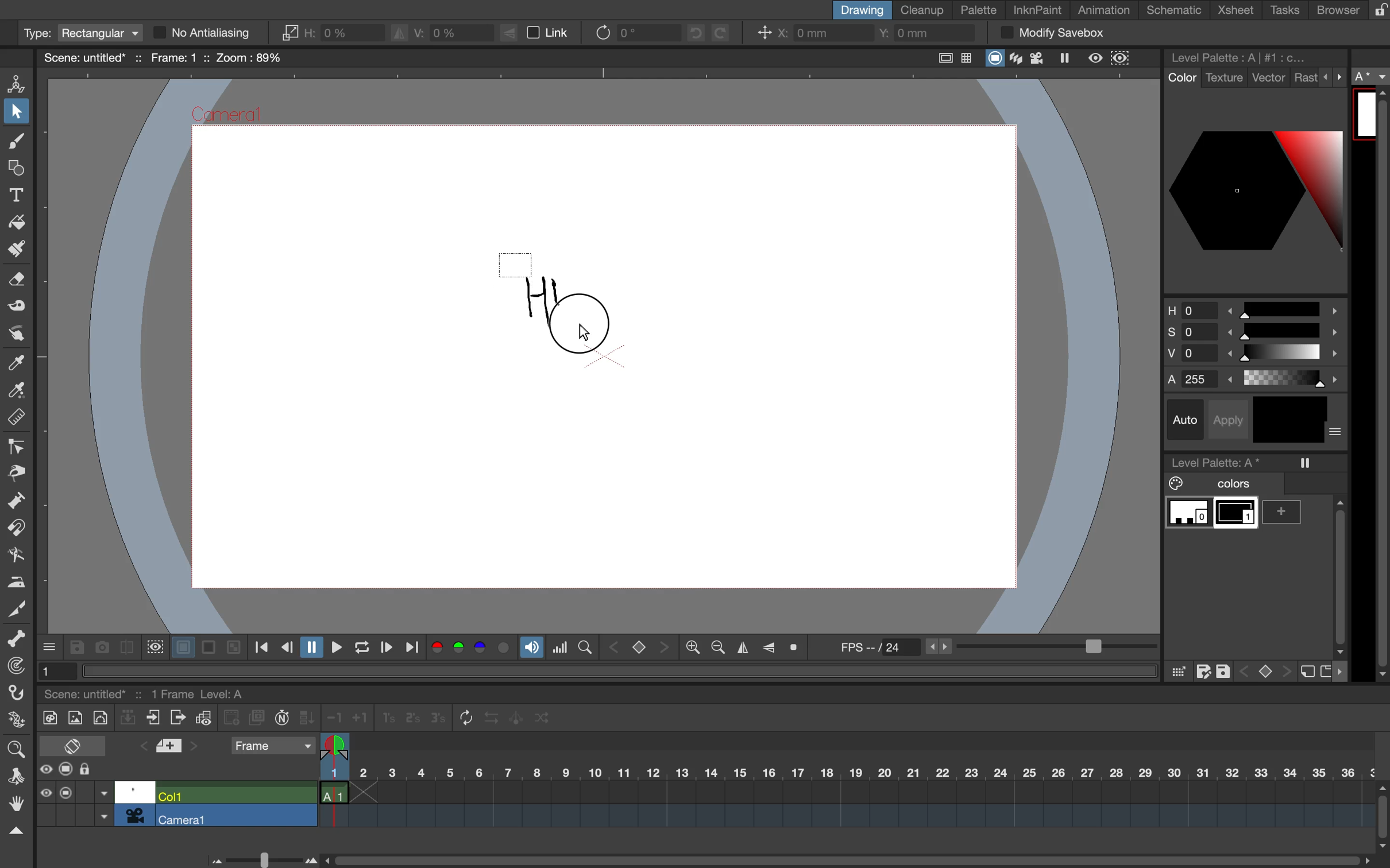 The height and width of the screenshot is (868, 1390). What do you see at coordinates (237, 816) in the screenshot?
I see `camera 1` at bounding box center [237, 816].